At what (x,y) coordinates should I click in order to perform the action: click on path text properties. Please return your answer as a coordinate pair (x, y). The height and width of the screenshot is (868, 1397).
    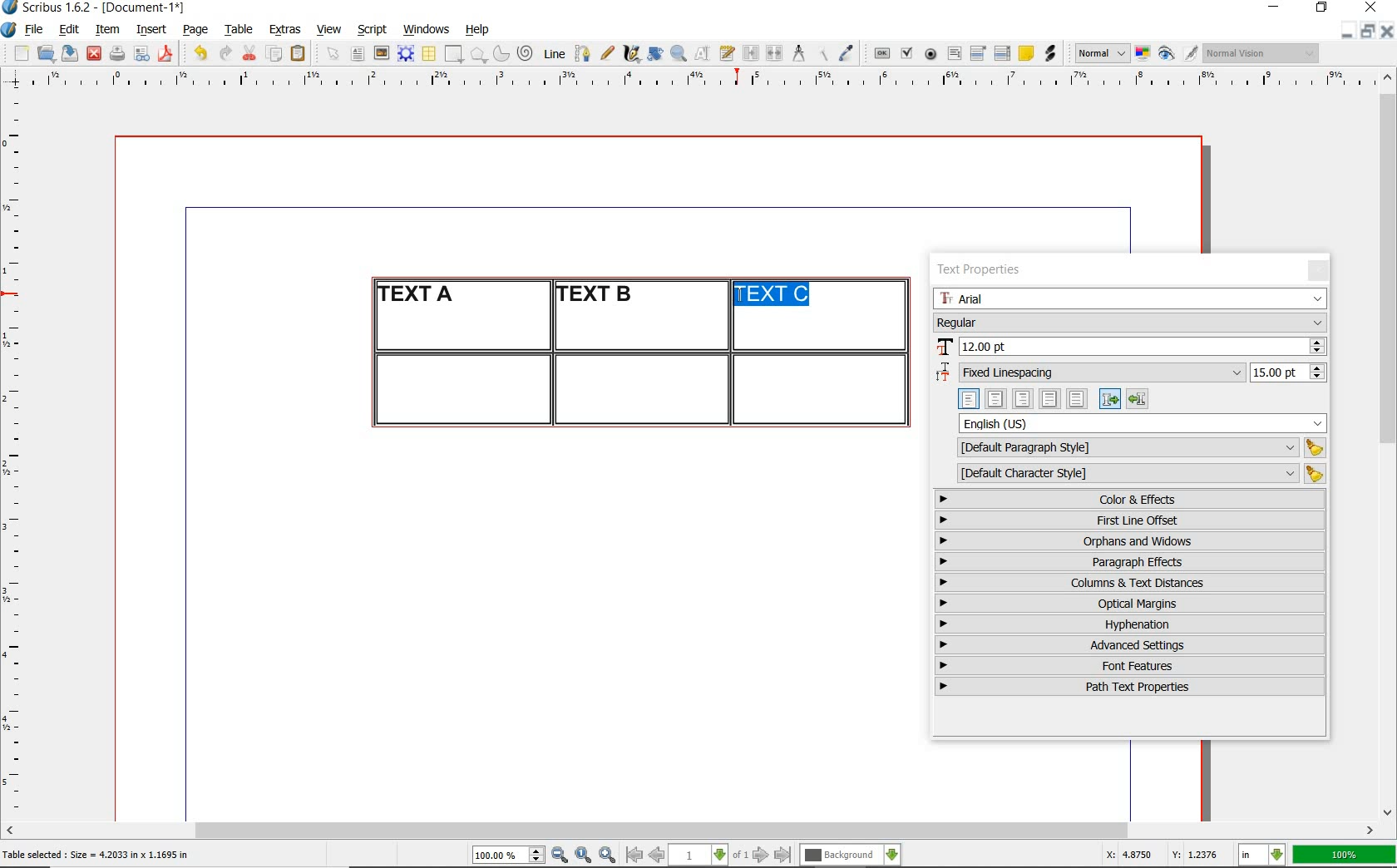
    Looking at the image, I should click on (1128, 687).